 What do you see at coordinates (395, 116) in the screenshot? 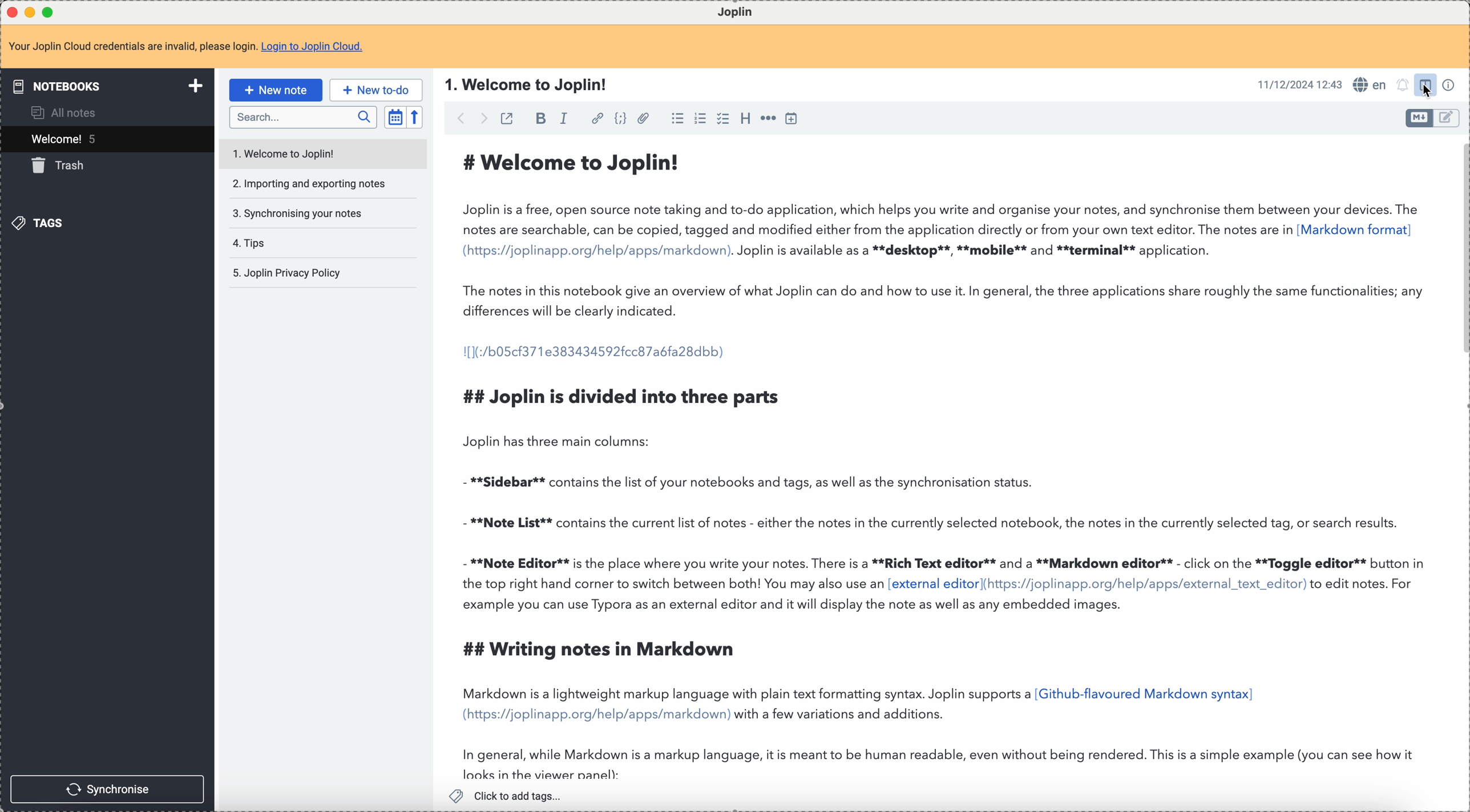
I see `toggle sort order field` at bounding box center [395, 116].